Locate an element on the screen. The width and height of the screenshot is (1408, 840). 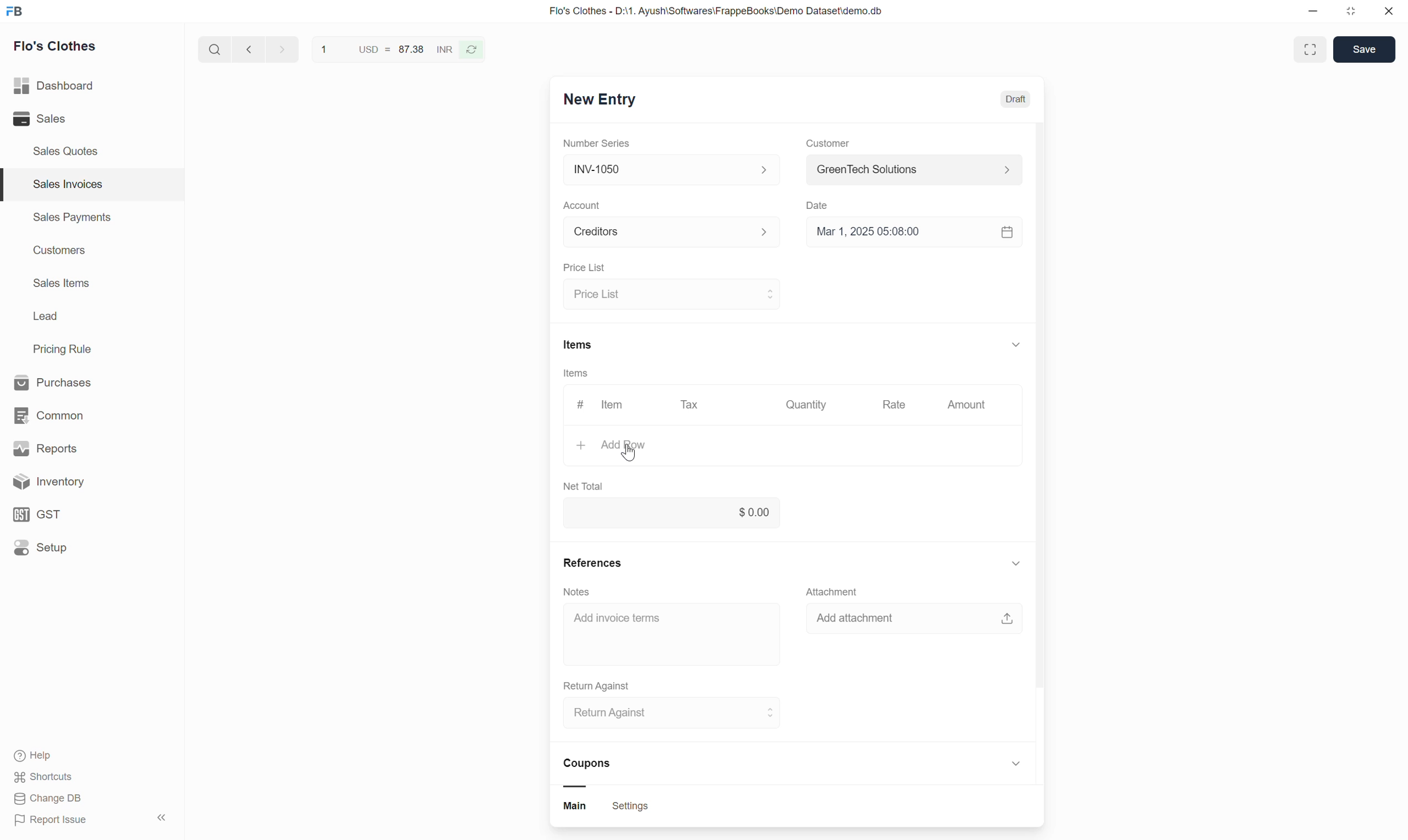
Report Issue  is located at coordinates (60, 822).